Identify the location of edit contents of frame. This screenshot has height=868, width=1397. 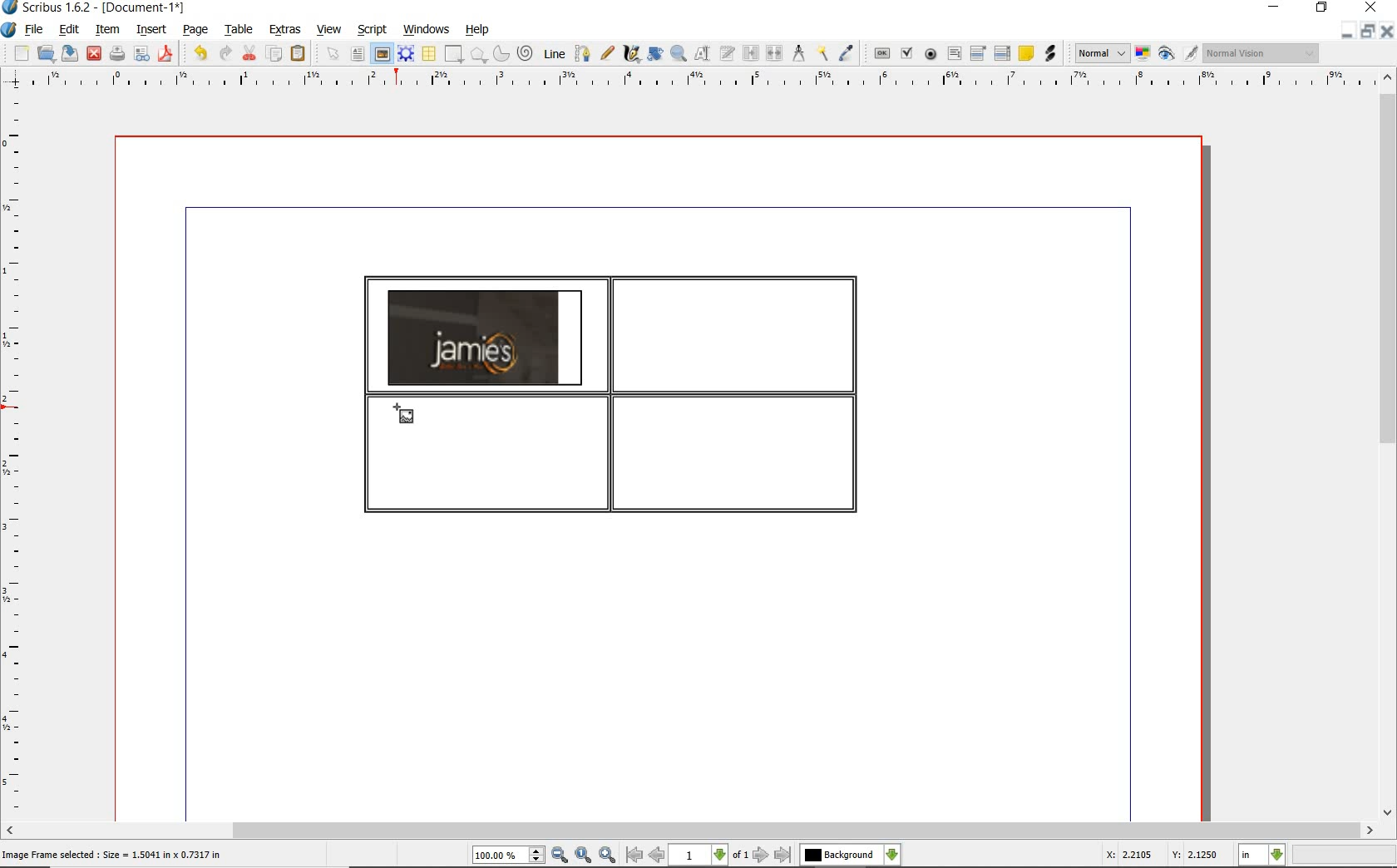
(703, 54).